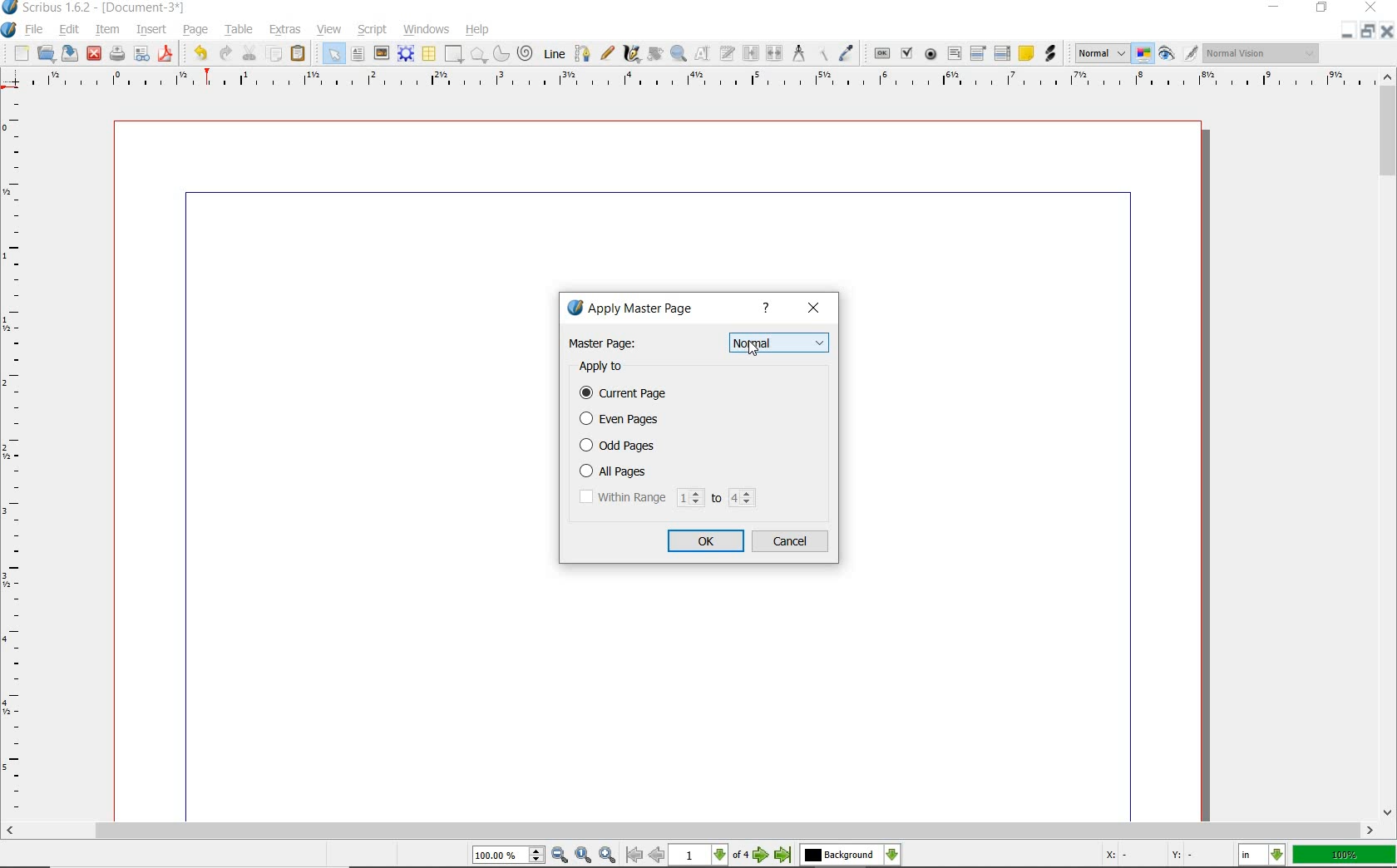  I want to click on Vertical Margin, so click(18, 457).